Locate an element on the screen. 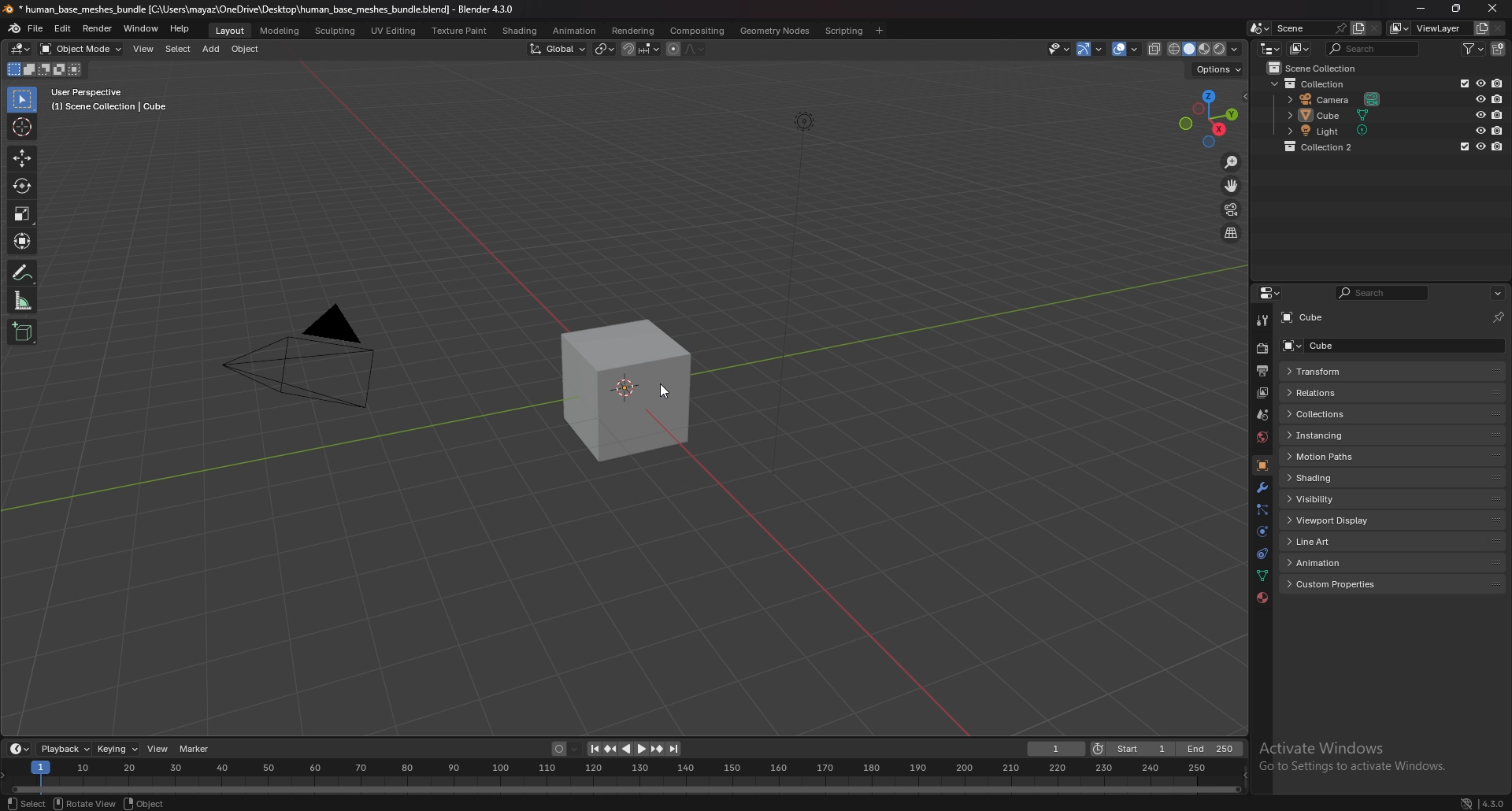 This screenshot has height=811, width=1512. cursor is located at coordinates (22, 127).